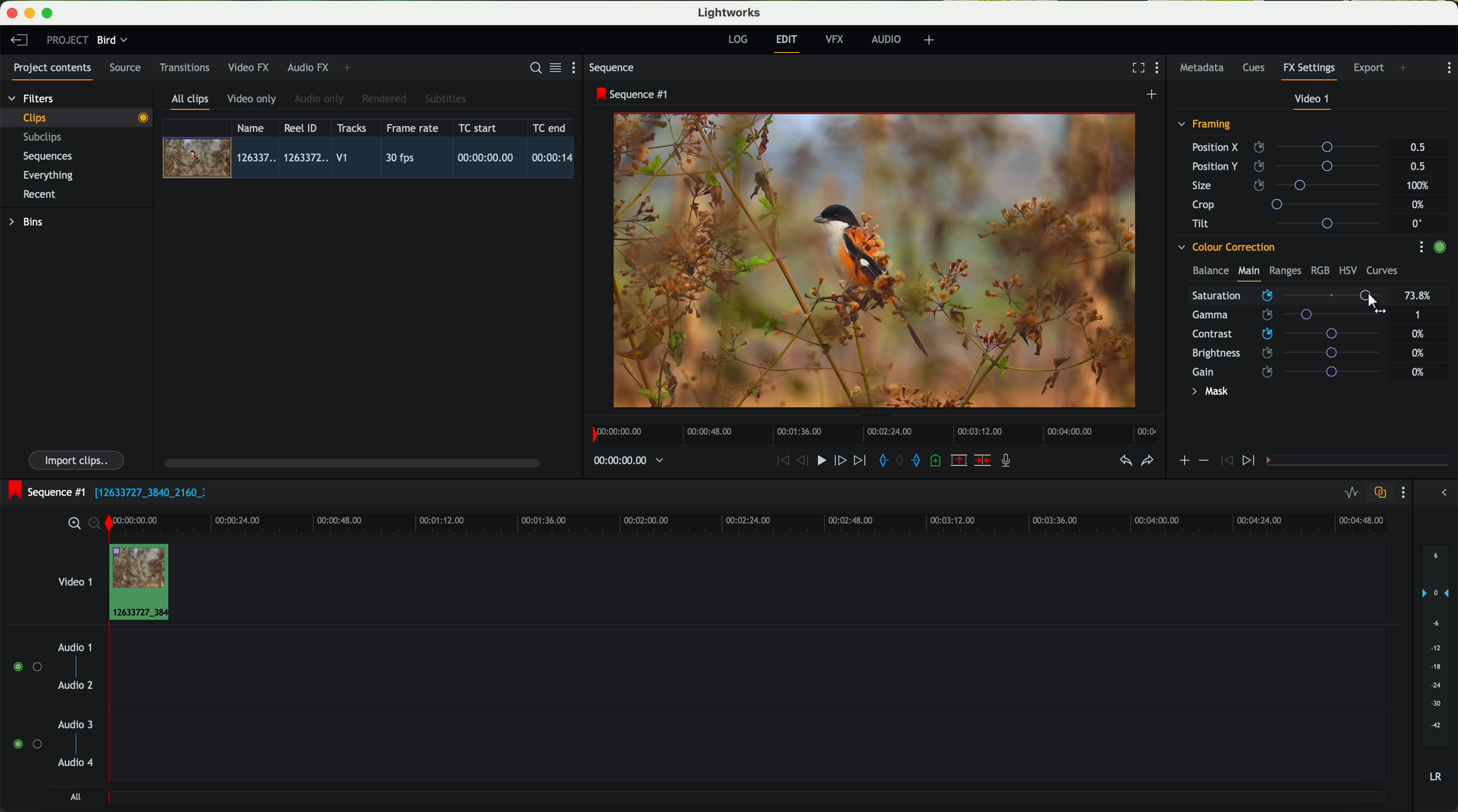  I want to click on show settings menu, so click(1448, 68).